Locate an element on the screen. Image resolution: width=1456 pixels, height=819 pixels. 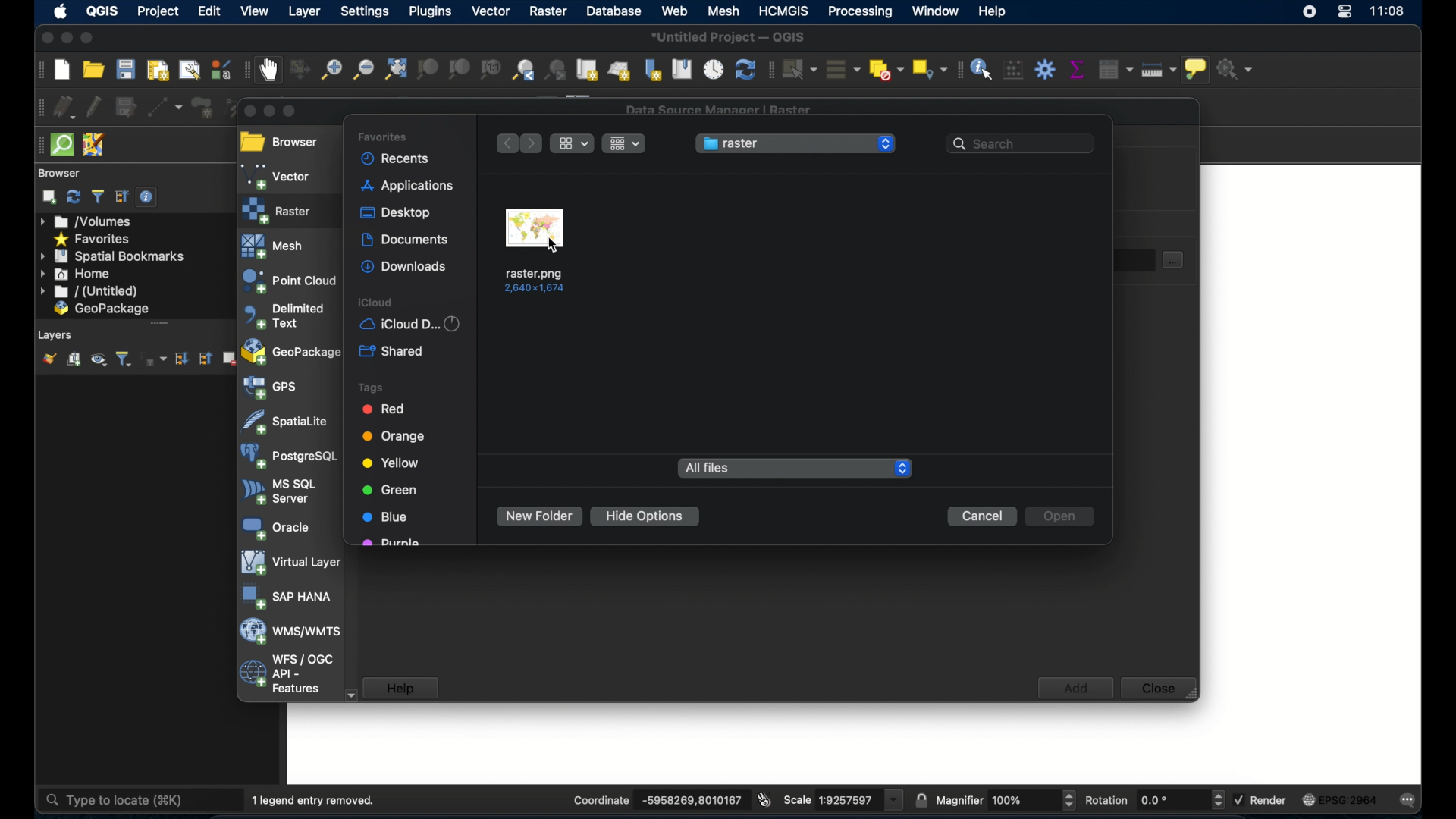
project toolbar is located at coordinates (37, 70).